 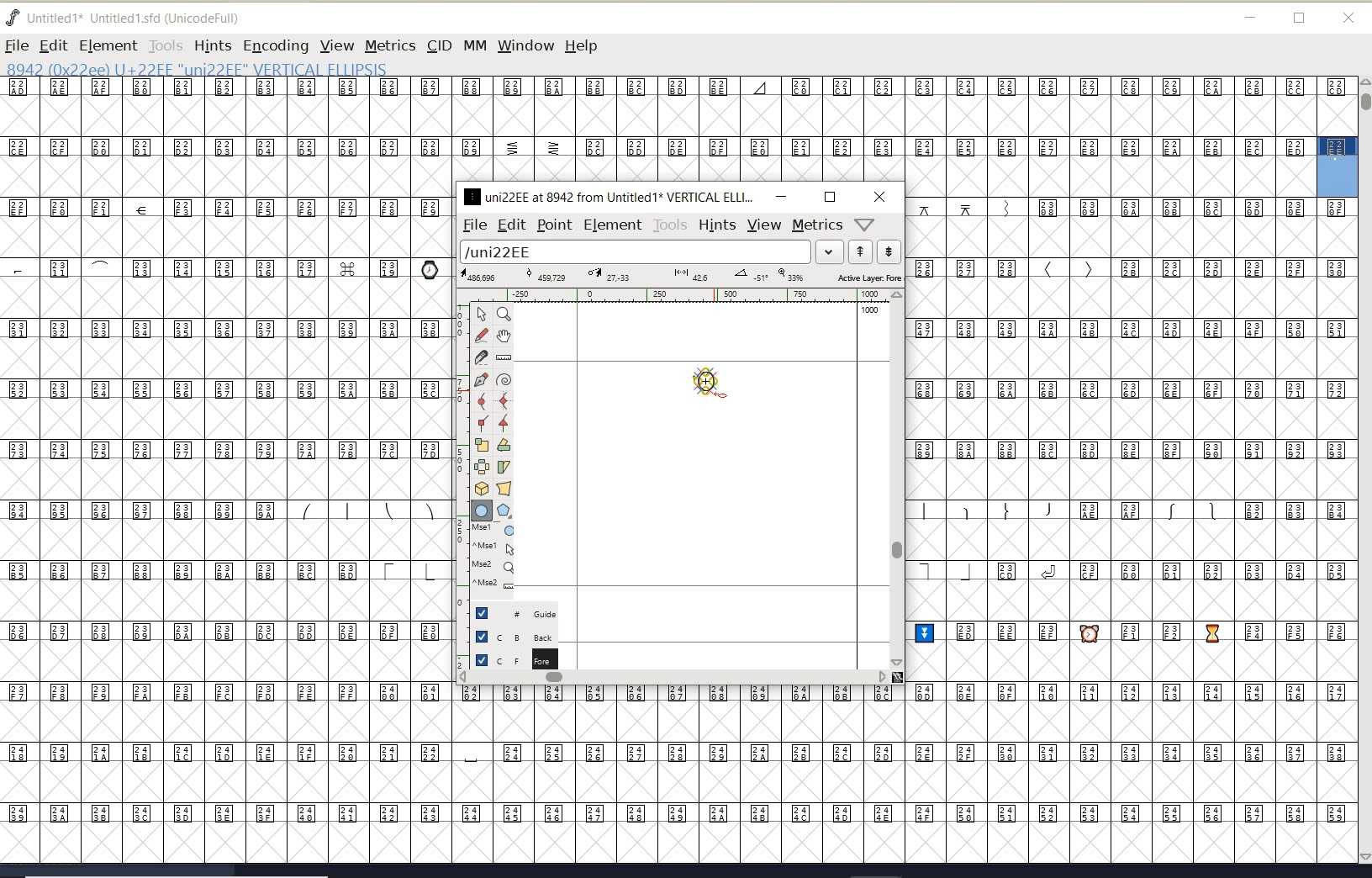 What do you see at coordinates (1300, 19) in the screenshot?
I see `restore` at bounding box center [1300, 19].